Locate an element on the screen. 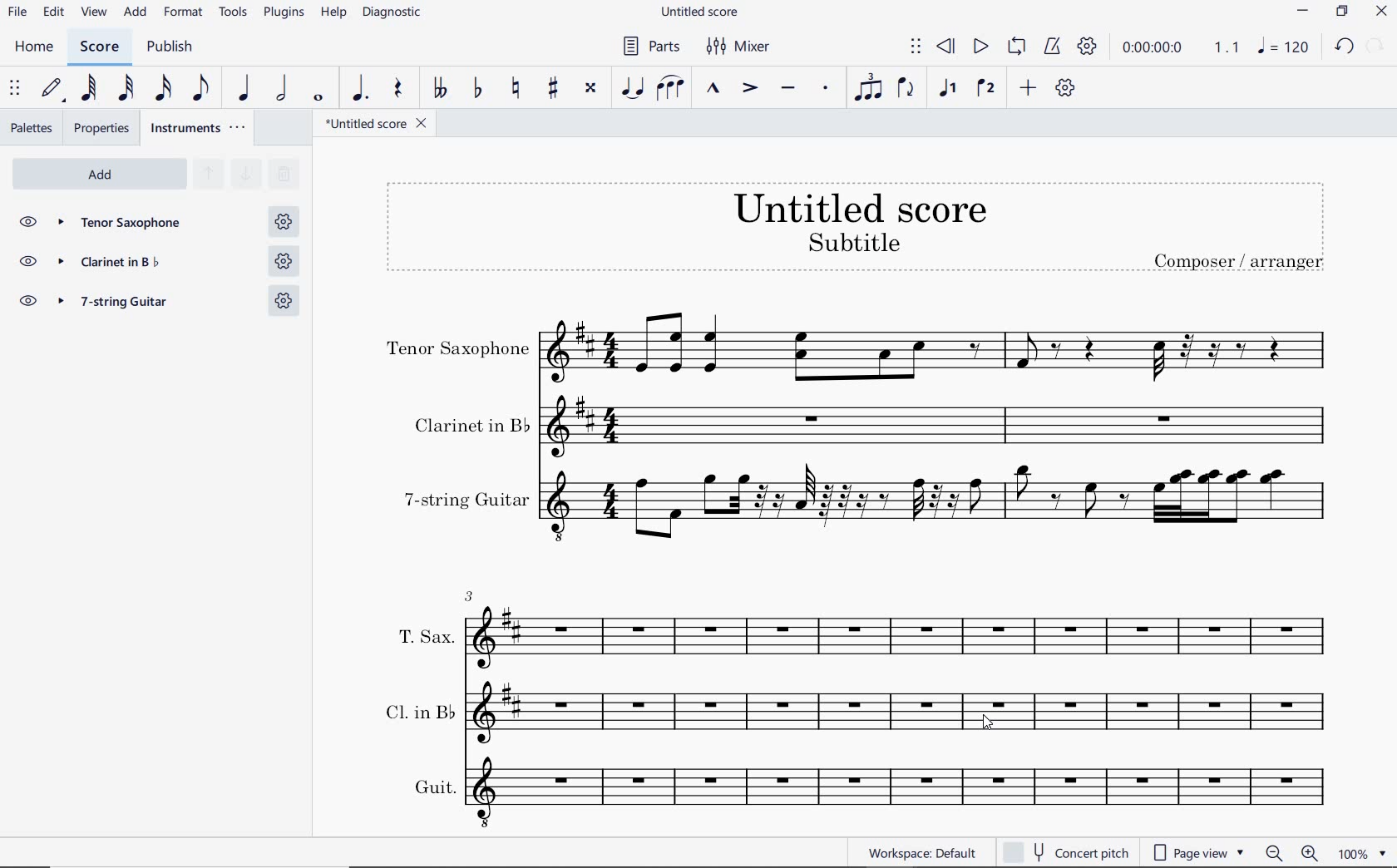 Image resolution: width=1397 pixels, height=868 pixels. TOGGLE NATURAL is located at coordinates (517, 89).